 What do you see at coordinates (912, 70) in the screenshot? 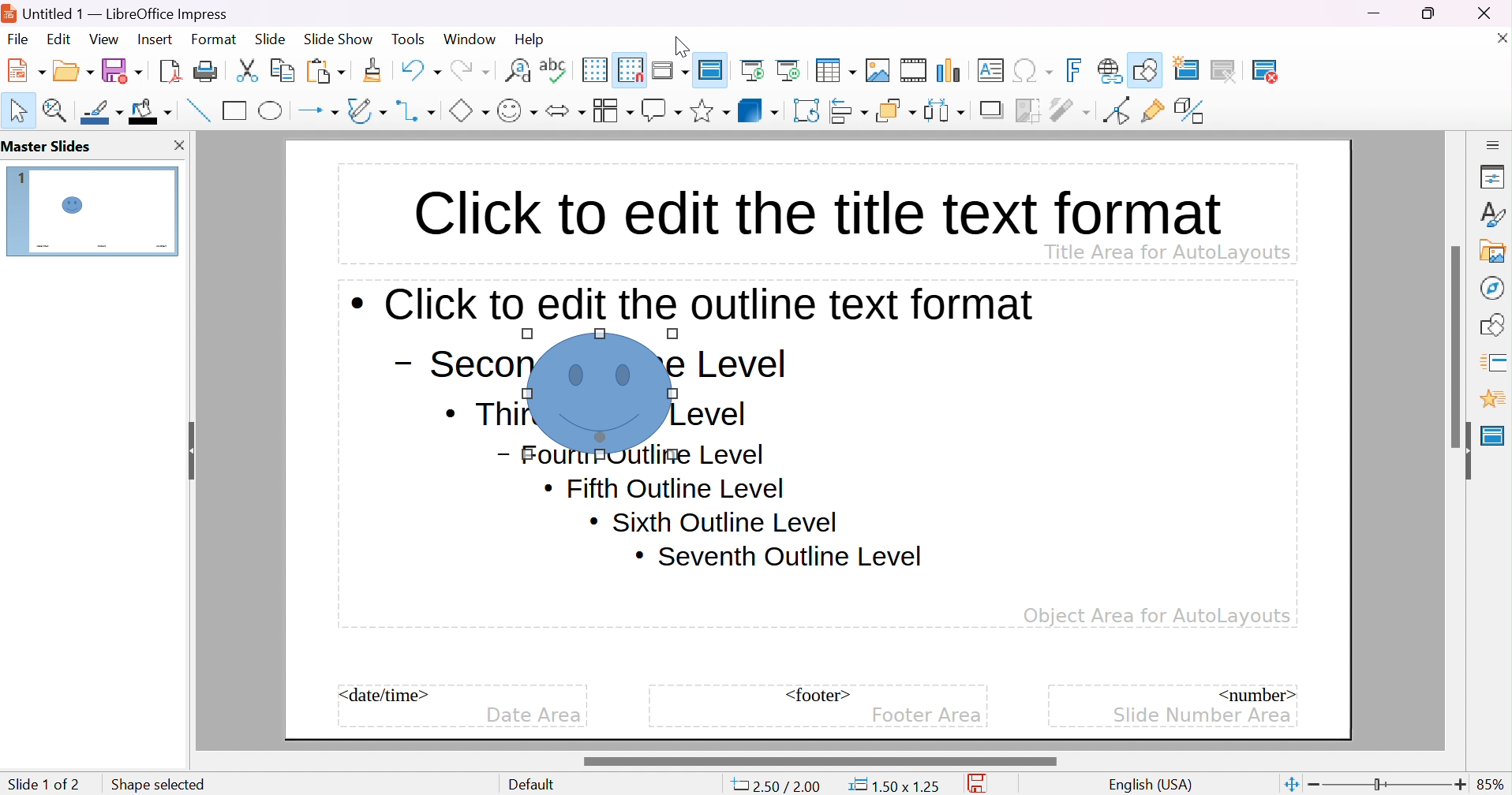
I see `insert audio or video` at bounding box center [912, 70].